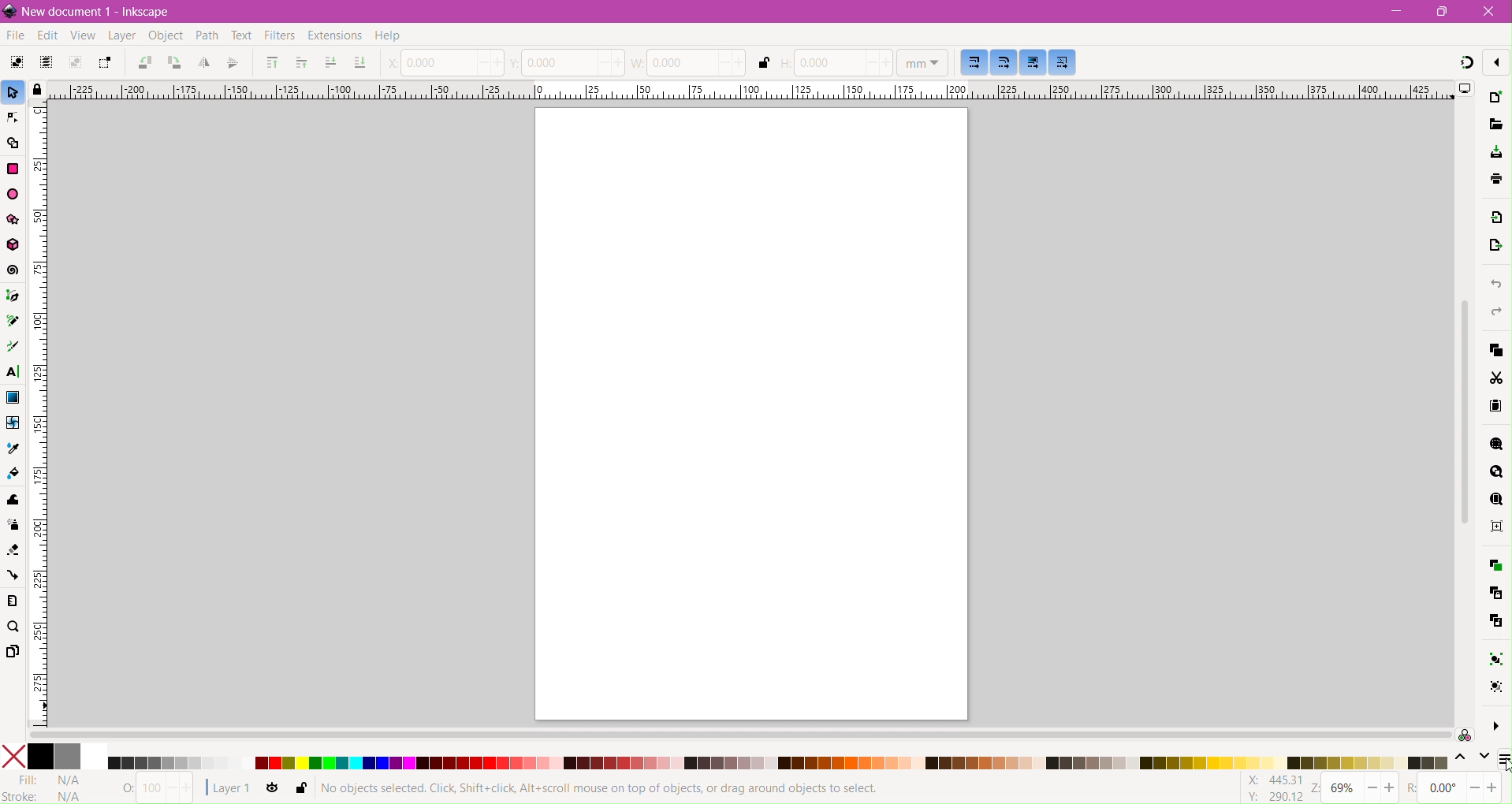  Describe the element at coordinates (1495, 125) in the screenshot. I see `Open File Dialog` at that location.